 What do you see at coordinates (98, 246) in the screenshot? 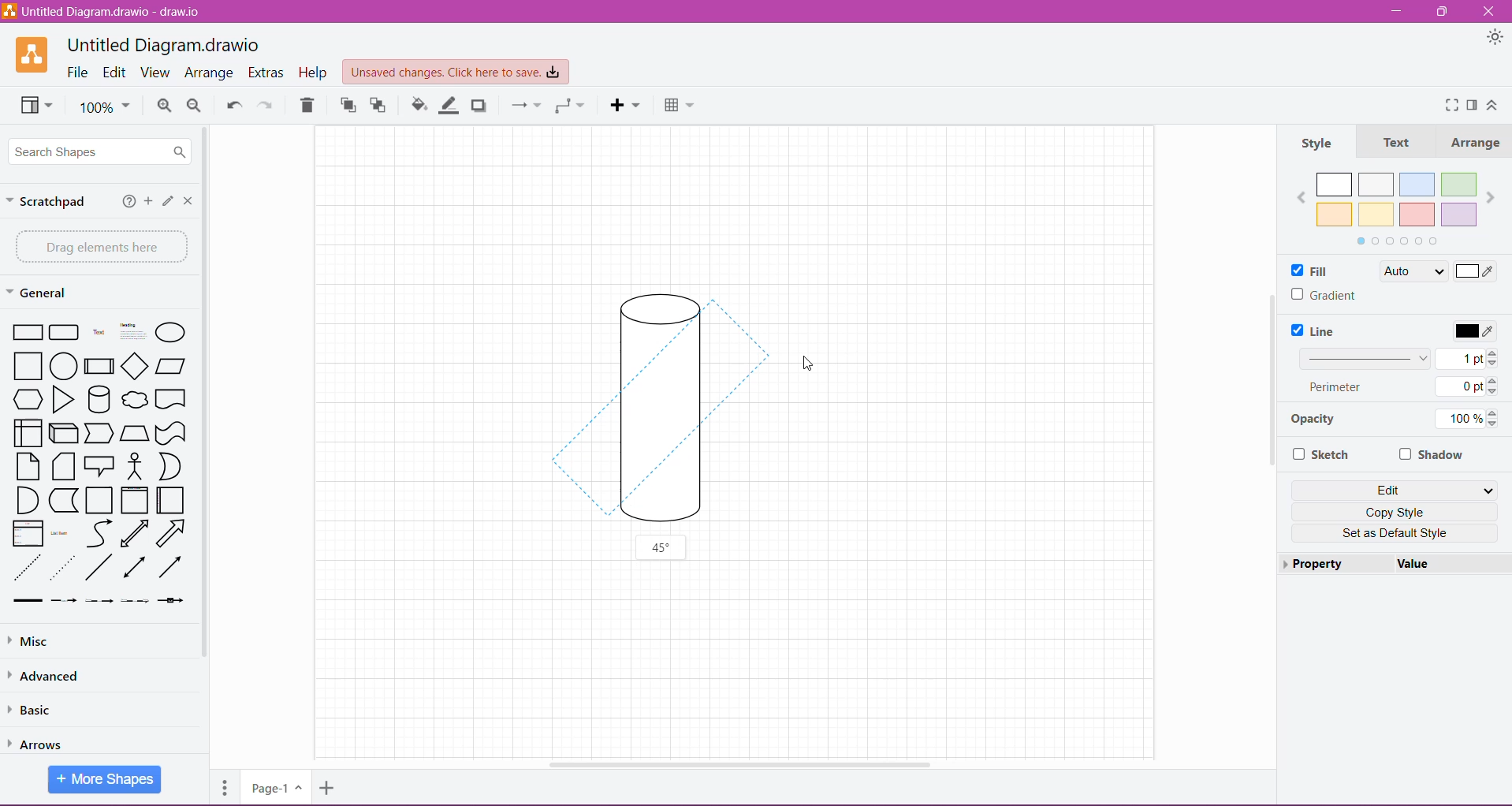
I see `Drag elements here` at bounding box center [98, 246].